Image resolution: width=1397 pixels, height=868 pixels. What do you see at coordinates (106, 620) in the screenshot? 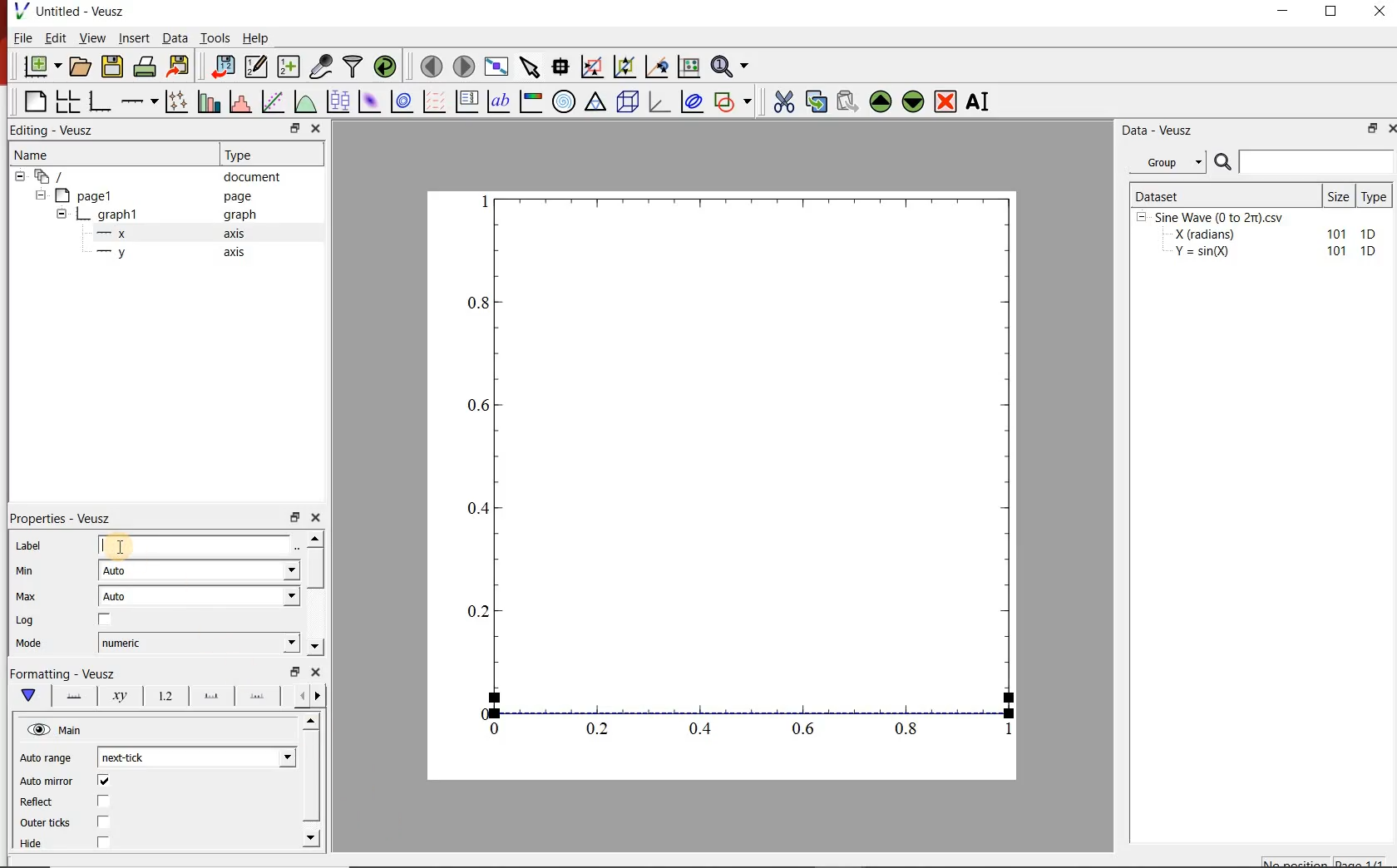
I see `Checkbox` at bounding box center [106, 620].